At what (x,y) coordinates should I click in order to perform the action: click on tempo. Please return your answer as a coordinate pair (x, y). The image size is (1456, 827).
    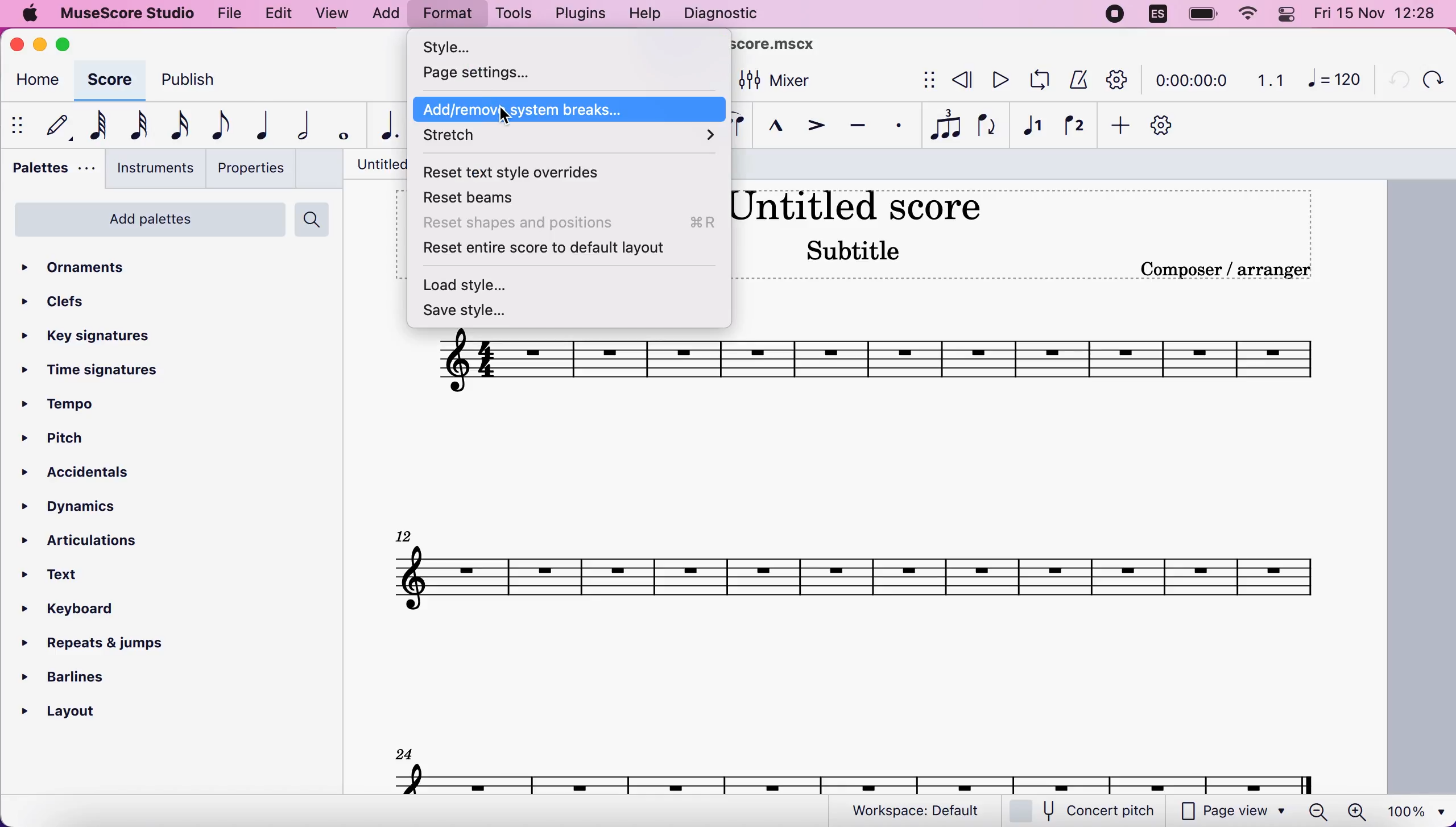
    Looking at the image, I should click on (69, 406).